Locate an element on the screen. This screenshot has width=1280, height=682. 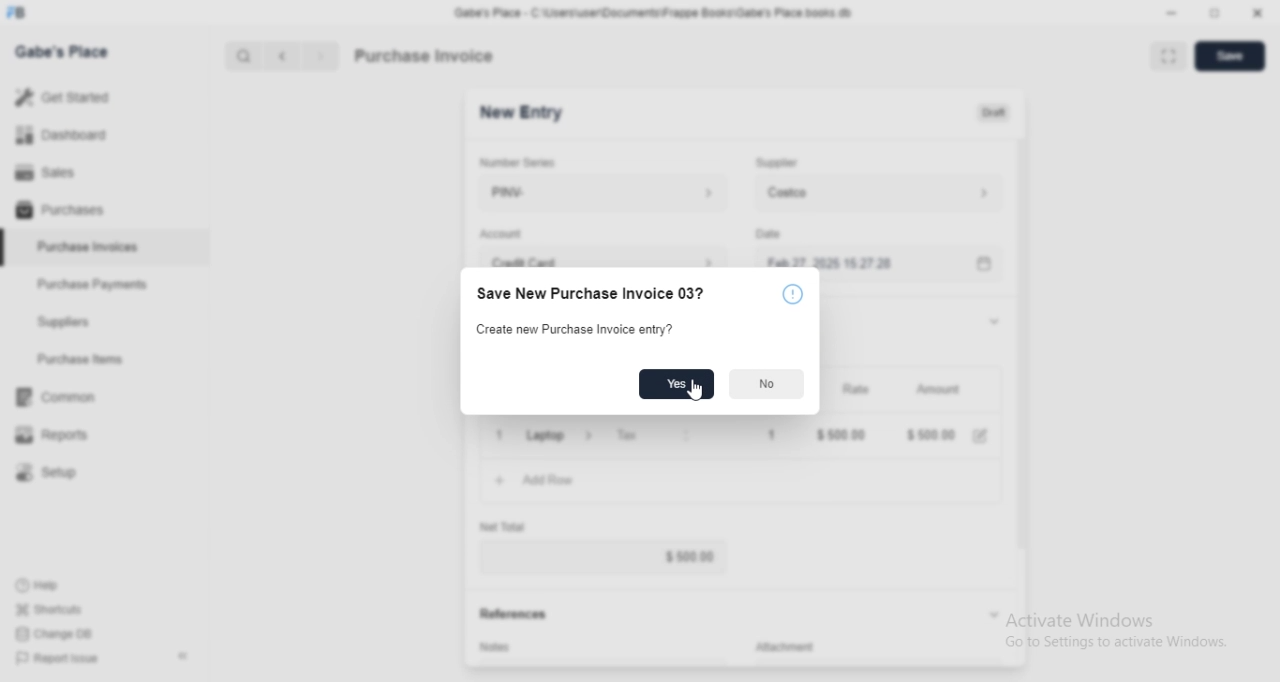
No is located at coordinates (767, 384).